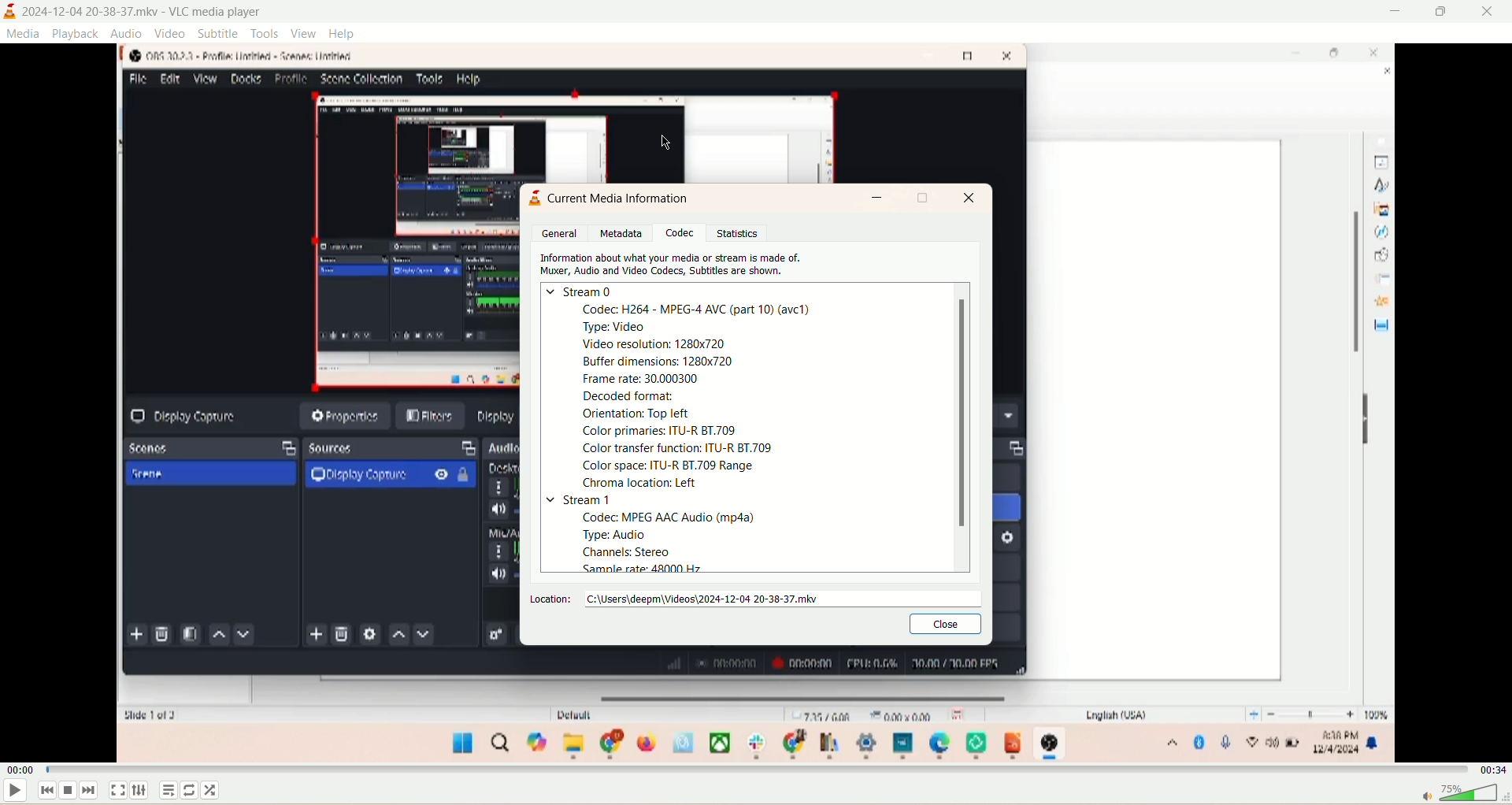 The image size is (1512, 805). What do you see at coordinates (77, 33) in the screenshot?
I see `playback` at bounding box center [77, 33].